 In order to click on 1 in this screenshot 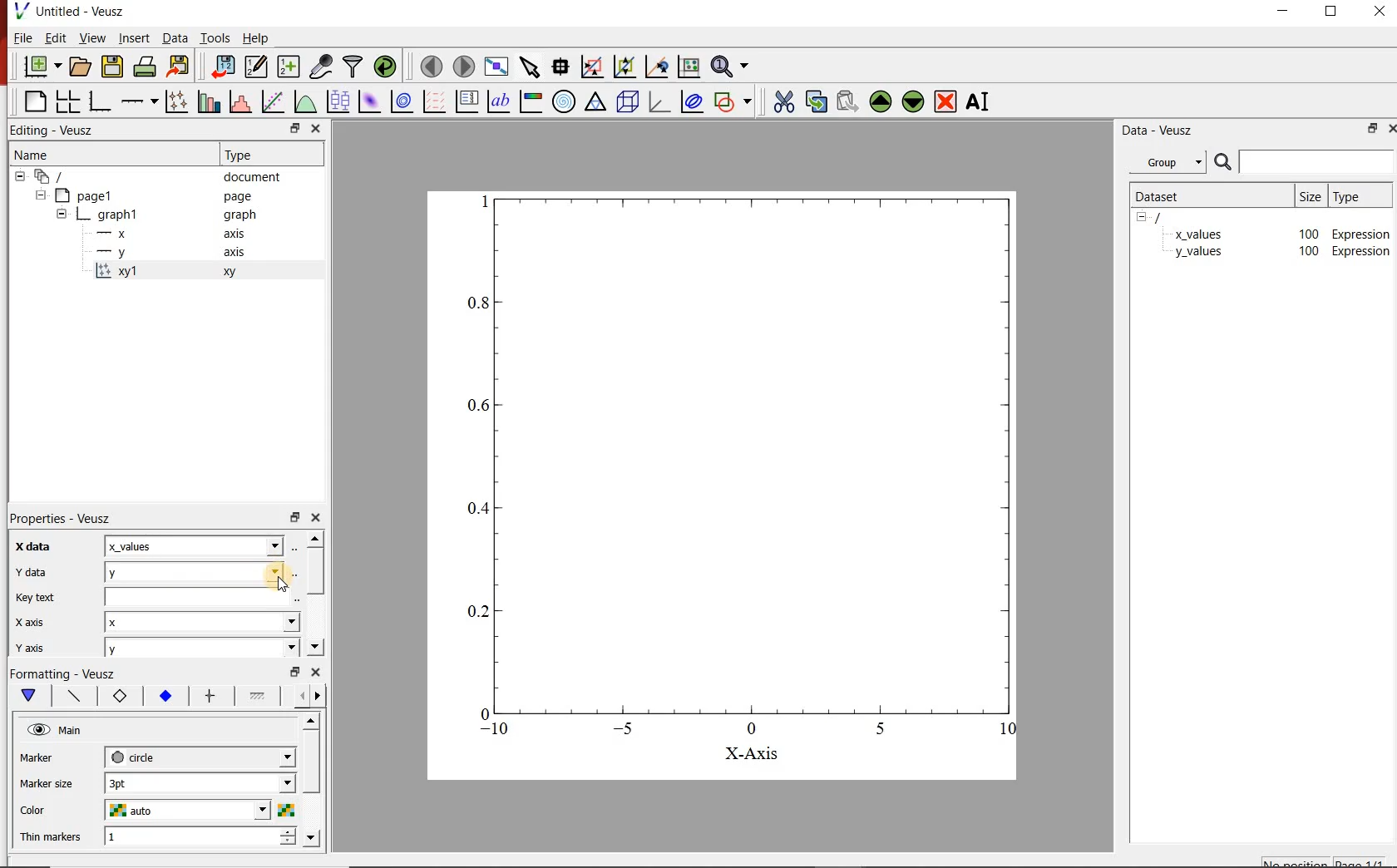, I will do `click(203, 835)`.